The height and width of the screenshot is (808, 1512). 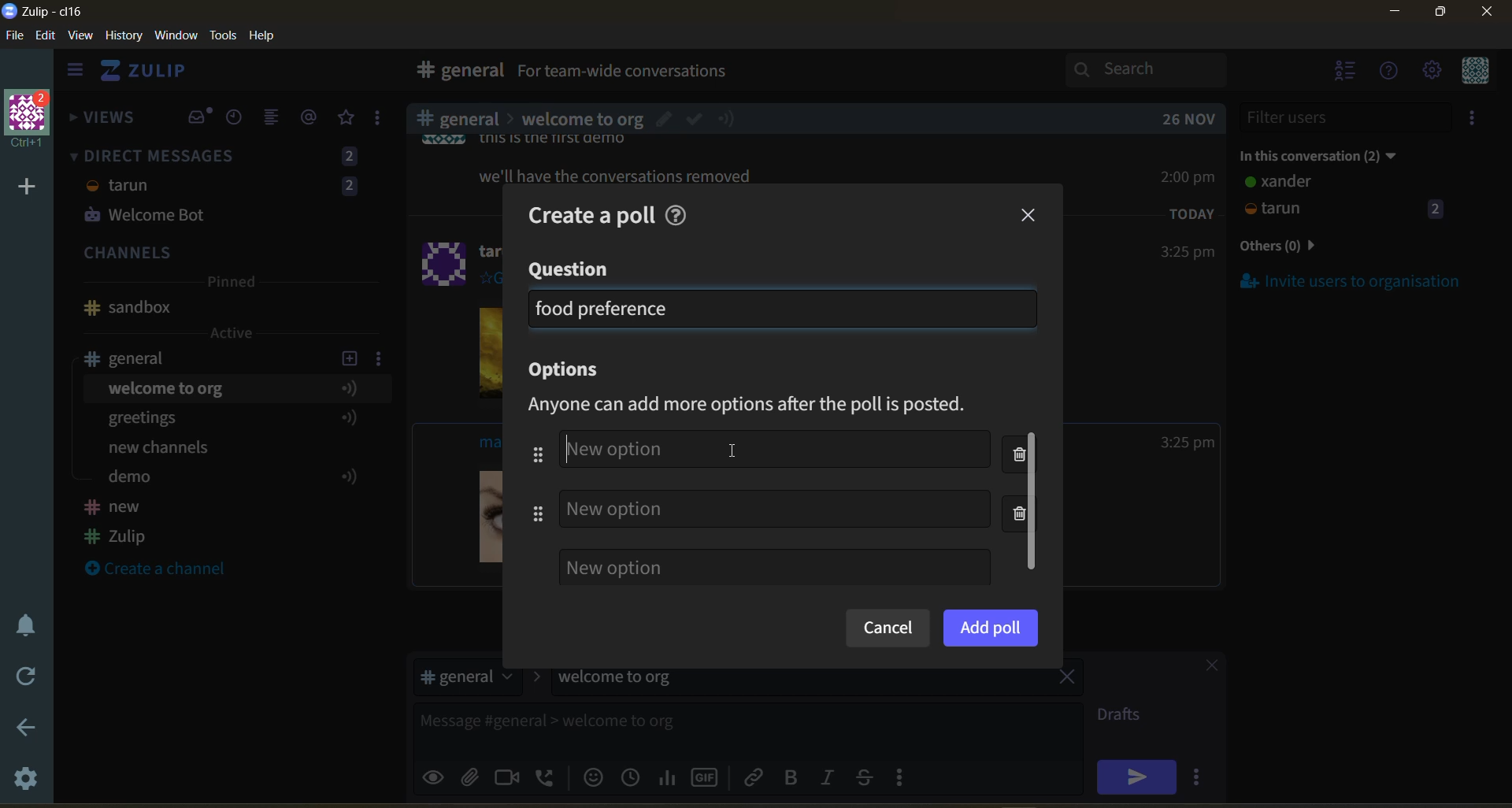 I want to click on bold, so click(x=790, y=778).